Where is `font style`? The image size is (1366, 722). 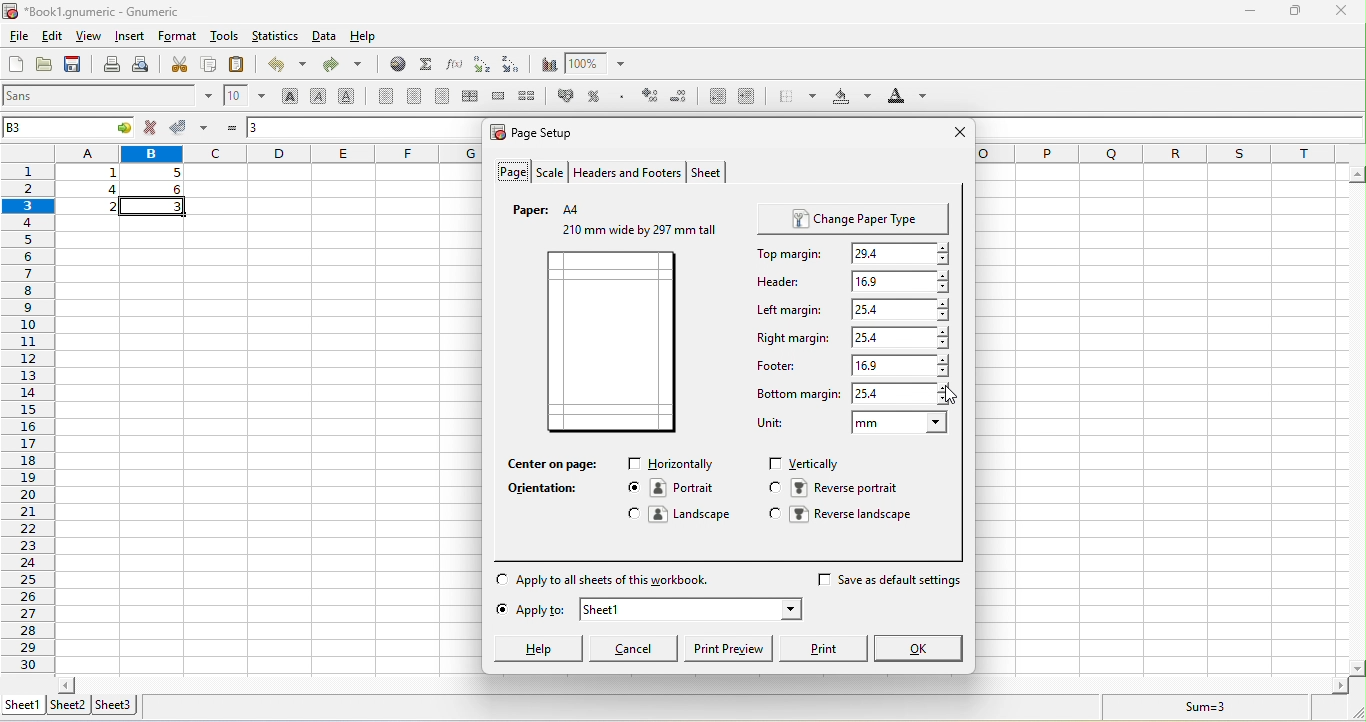 font style is located at coordinates (109, 97).